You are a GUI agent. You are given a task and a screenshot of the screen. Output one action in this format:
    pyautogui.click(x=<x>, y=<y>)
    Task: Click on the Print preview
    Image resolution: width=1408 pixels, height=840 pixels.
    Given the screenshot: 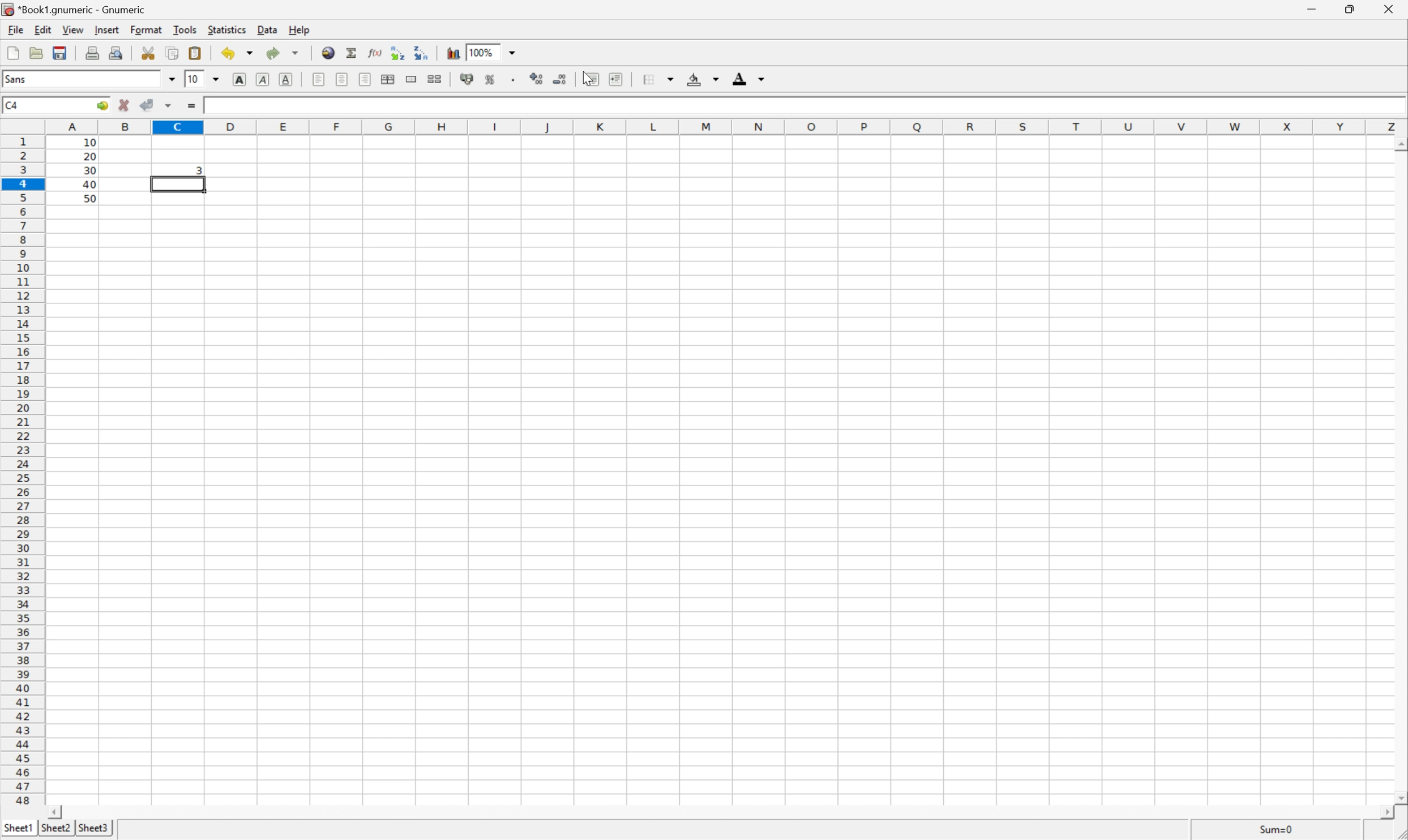 What is the action you would take?
    pyautogui.click(x=119, y=52)
    